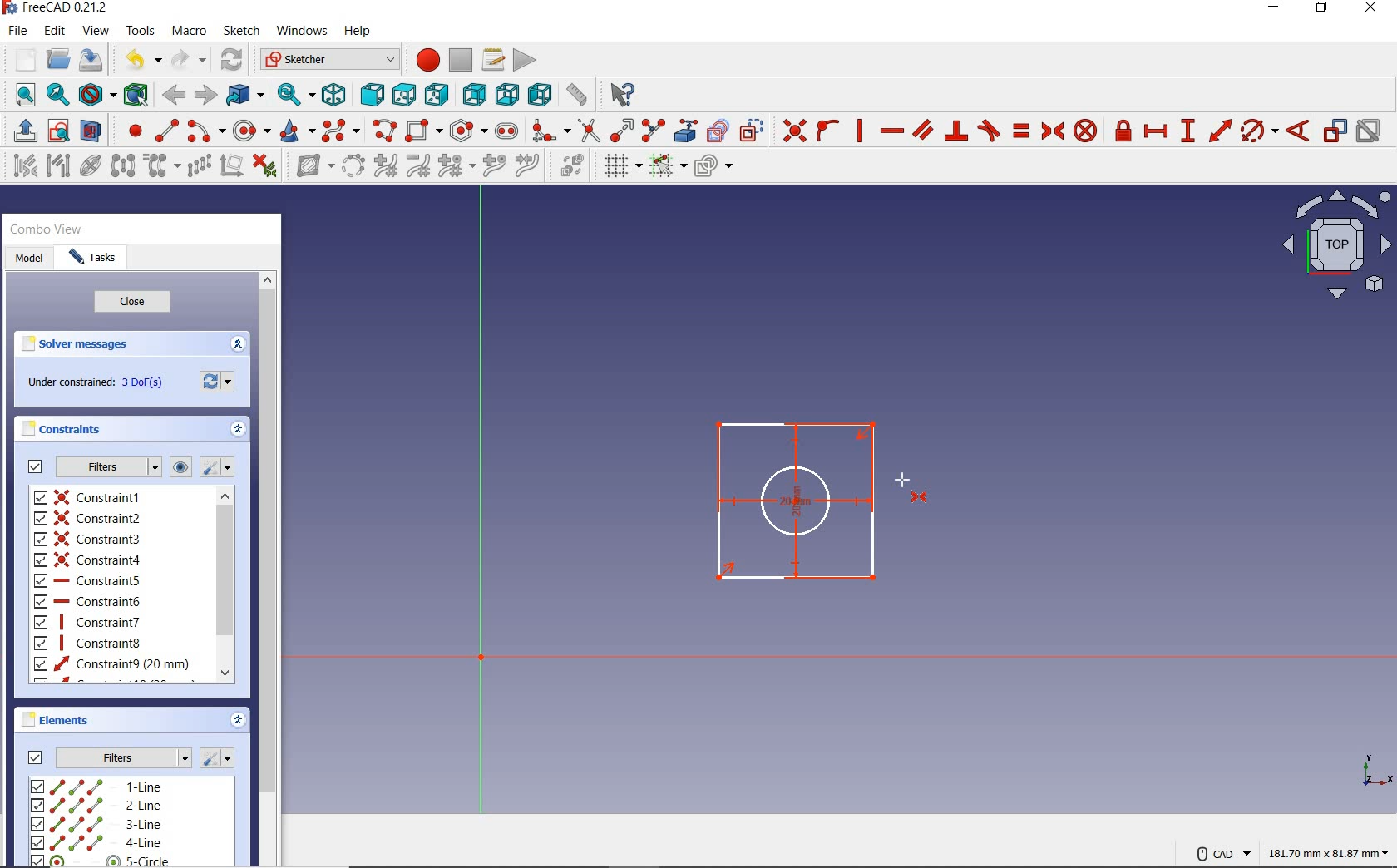 This screenshot has height=868, width=1397. What do you see at coordinates (688, 131) in the screenshot?
I see `create external geometry` at bounding box center [688, 131].